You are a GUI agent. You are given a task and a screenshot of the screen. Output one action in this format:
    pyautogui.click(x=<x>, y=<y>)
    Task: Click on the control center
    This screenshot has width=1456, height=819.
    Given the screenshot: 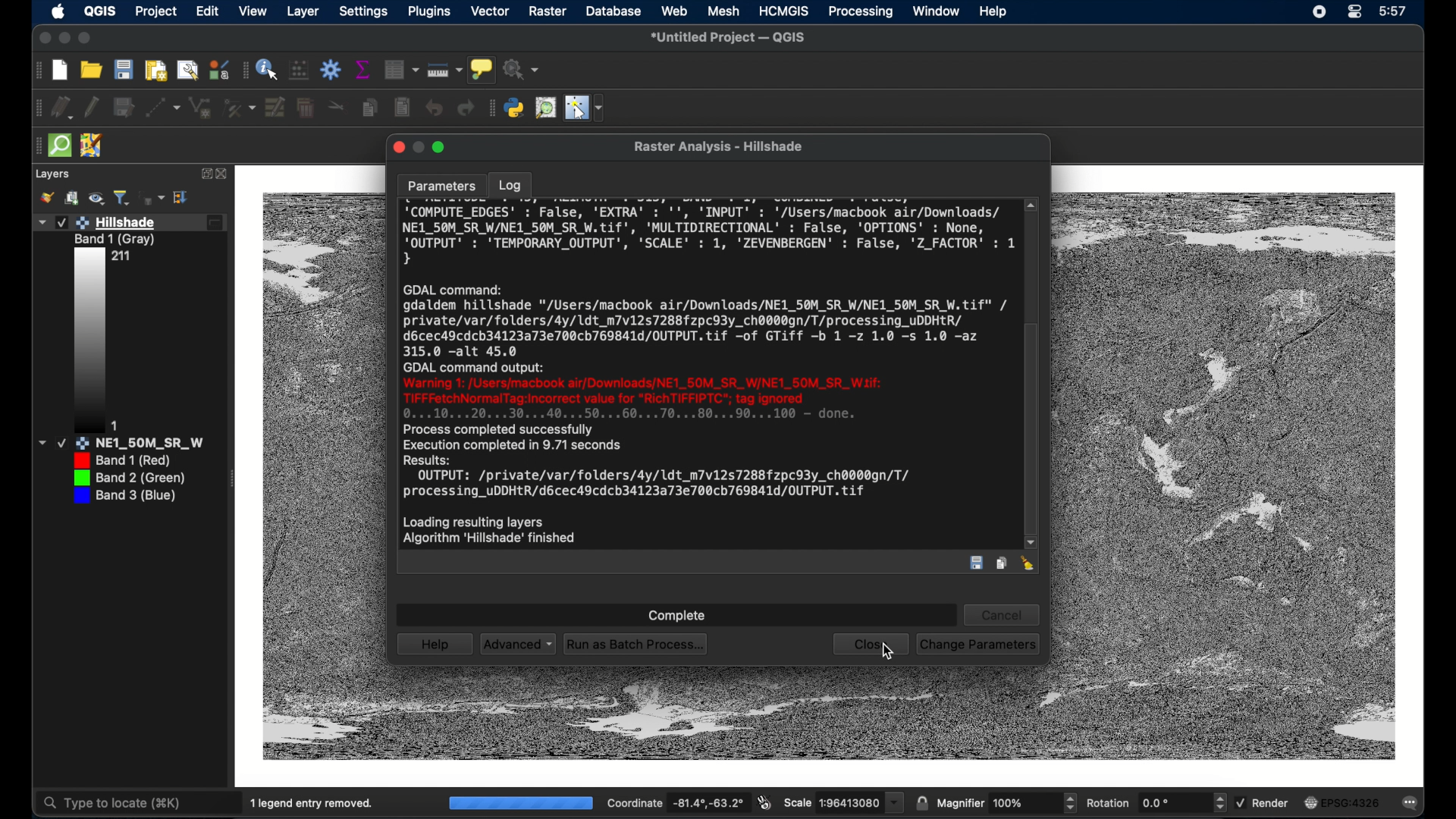 What is the action you would take?
    pyautogui.click(x=1356, y=13)
    